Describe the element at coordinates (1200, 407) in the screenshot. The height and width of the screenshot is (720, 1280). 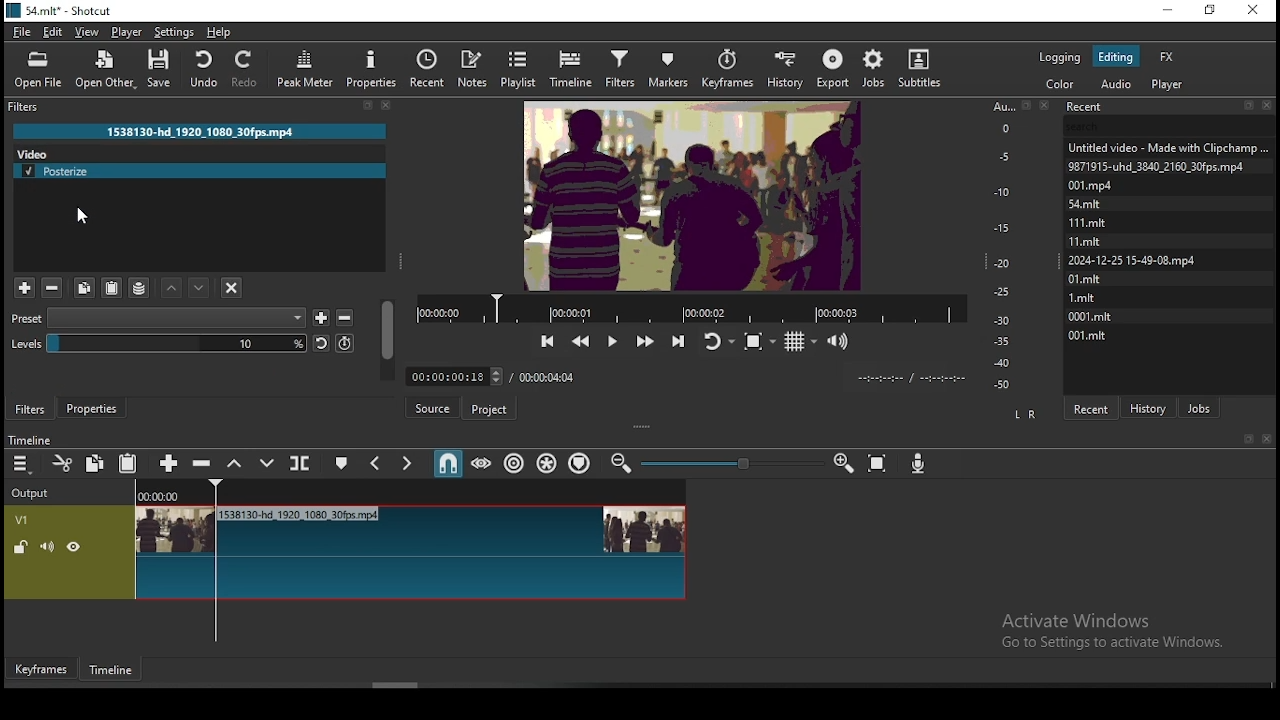
I see `jobs` at that location.